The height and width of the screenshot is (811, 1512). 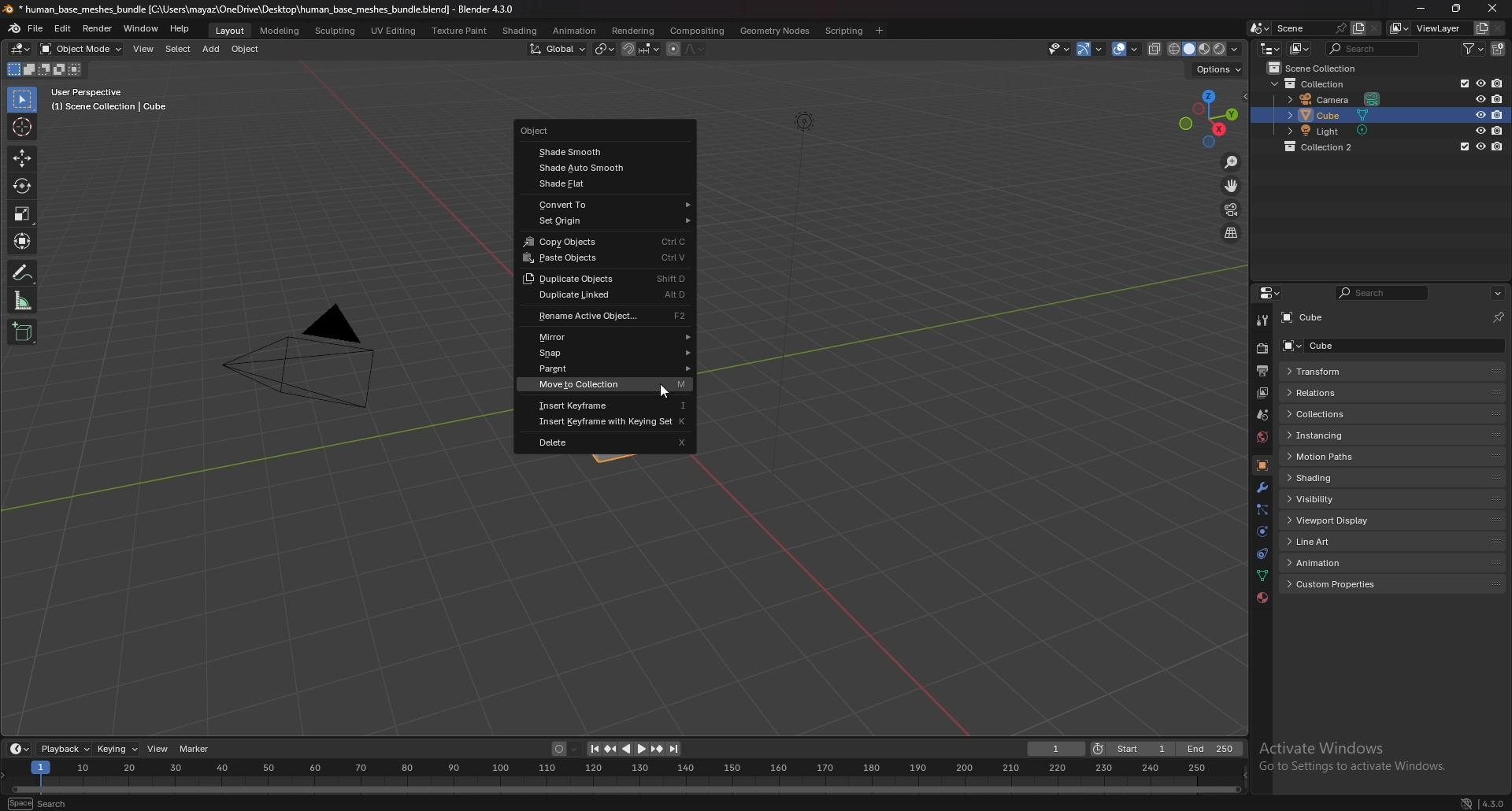 What do you see at coordinates (1262, 349) in the screenshot?
I see `render` at bounding box center [1262, 349].